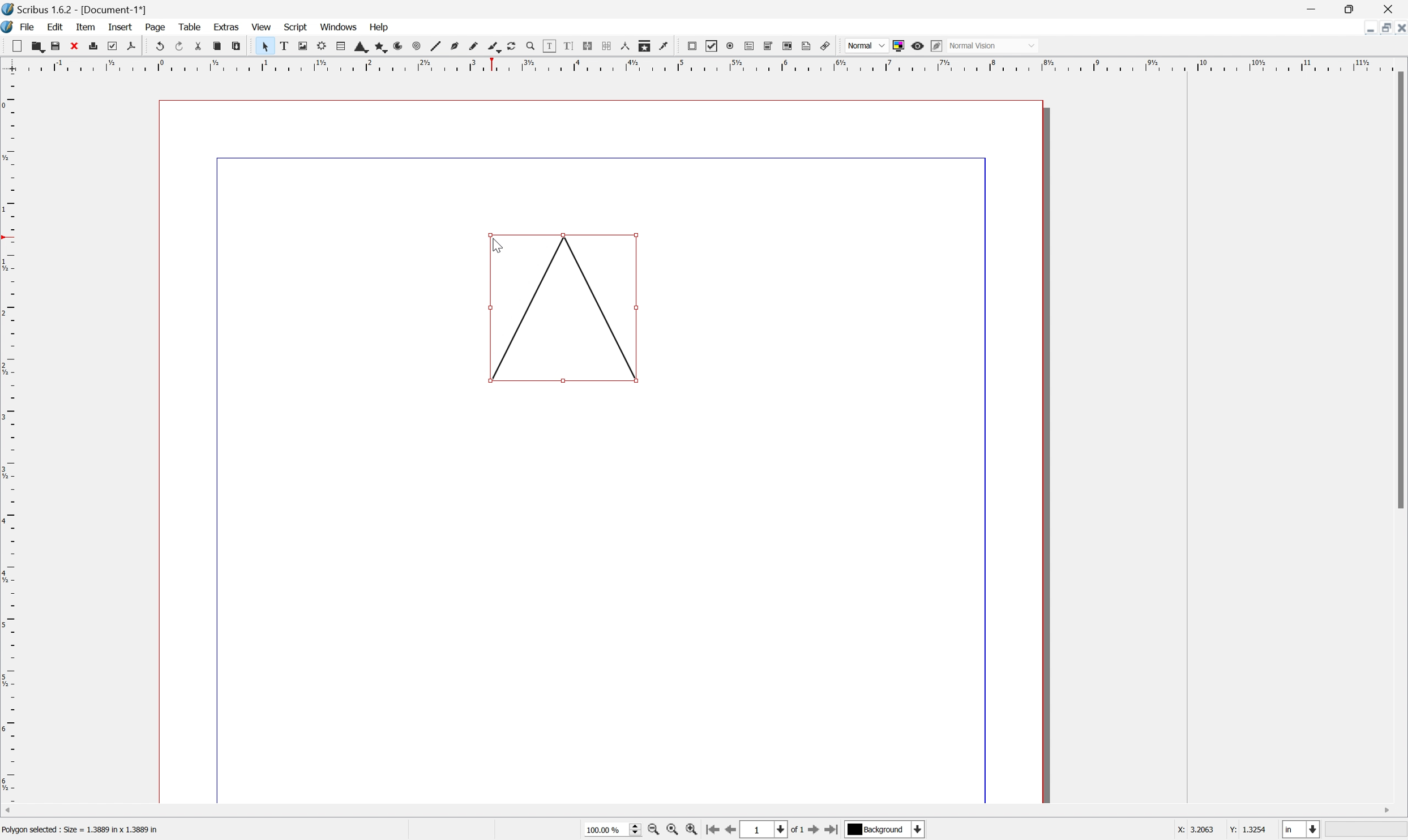 This screenshot has height=840, width=1408. Describe the element at coordinates (675, 832) in the screenshot. I see `Zoom to 100%` at that location.